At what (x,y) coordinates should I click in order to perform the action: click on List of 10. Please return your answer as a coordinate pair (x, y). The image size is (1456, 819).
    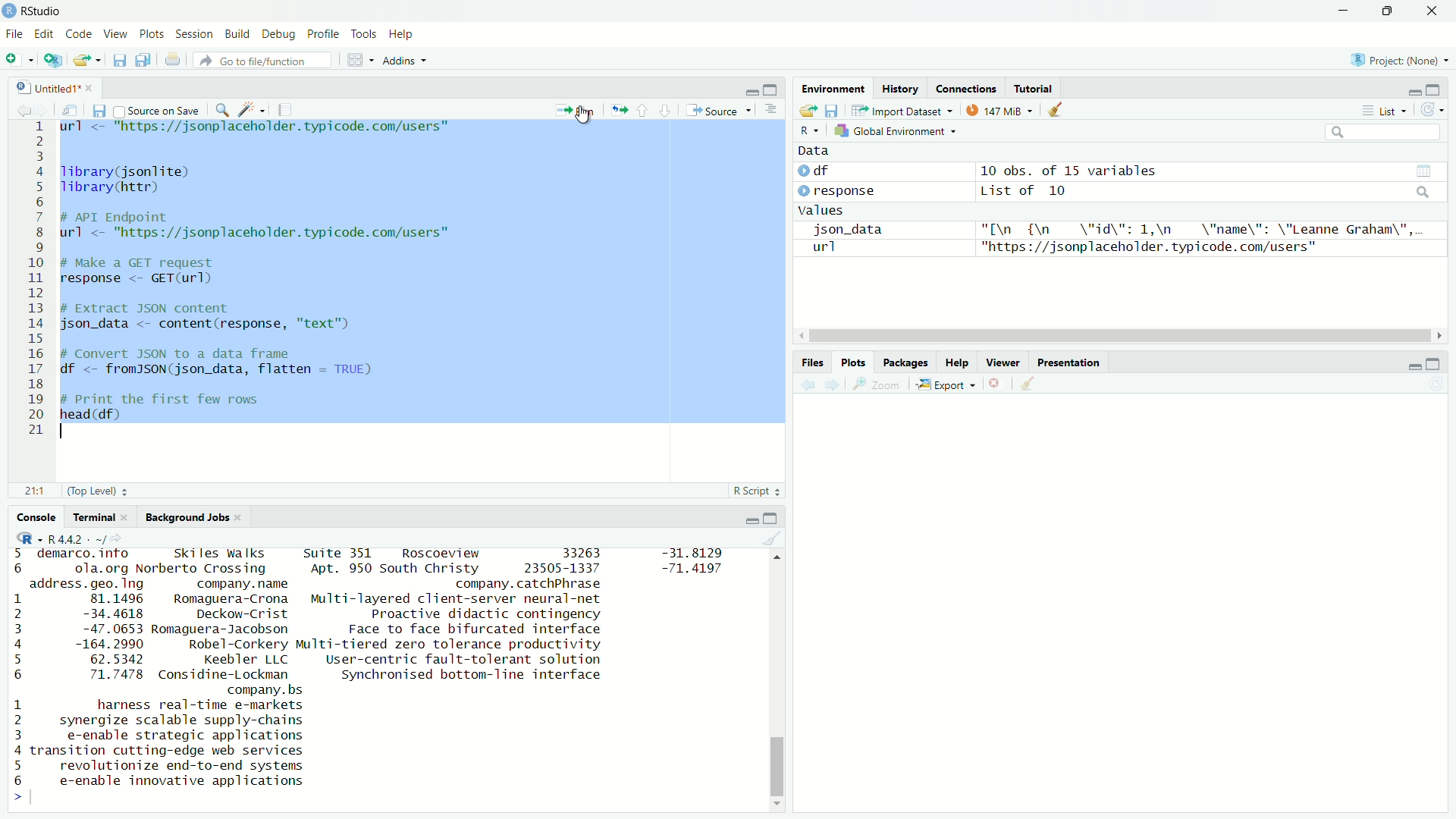
    Looking at the image, I should click on (1025, 191).